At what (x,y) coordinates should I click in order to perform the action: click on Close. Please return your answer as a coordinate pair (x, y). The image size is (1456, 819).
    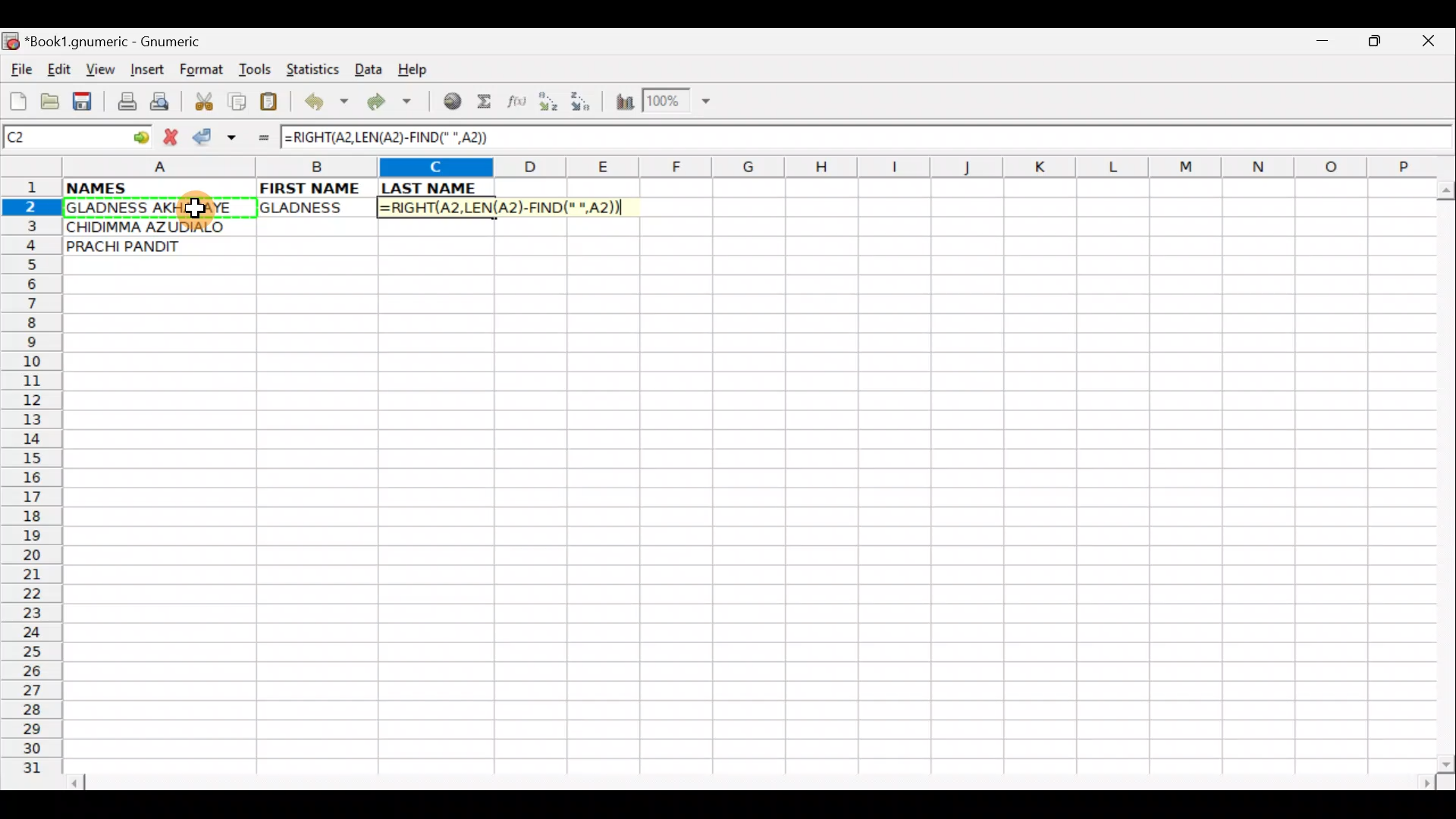
    Looking at the image, I should click on (1432, 45).